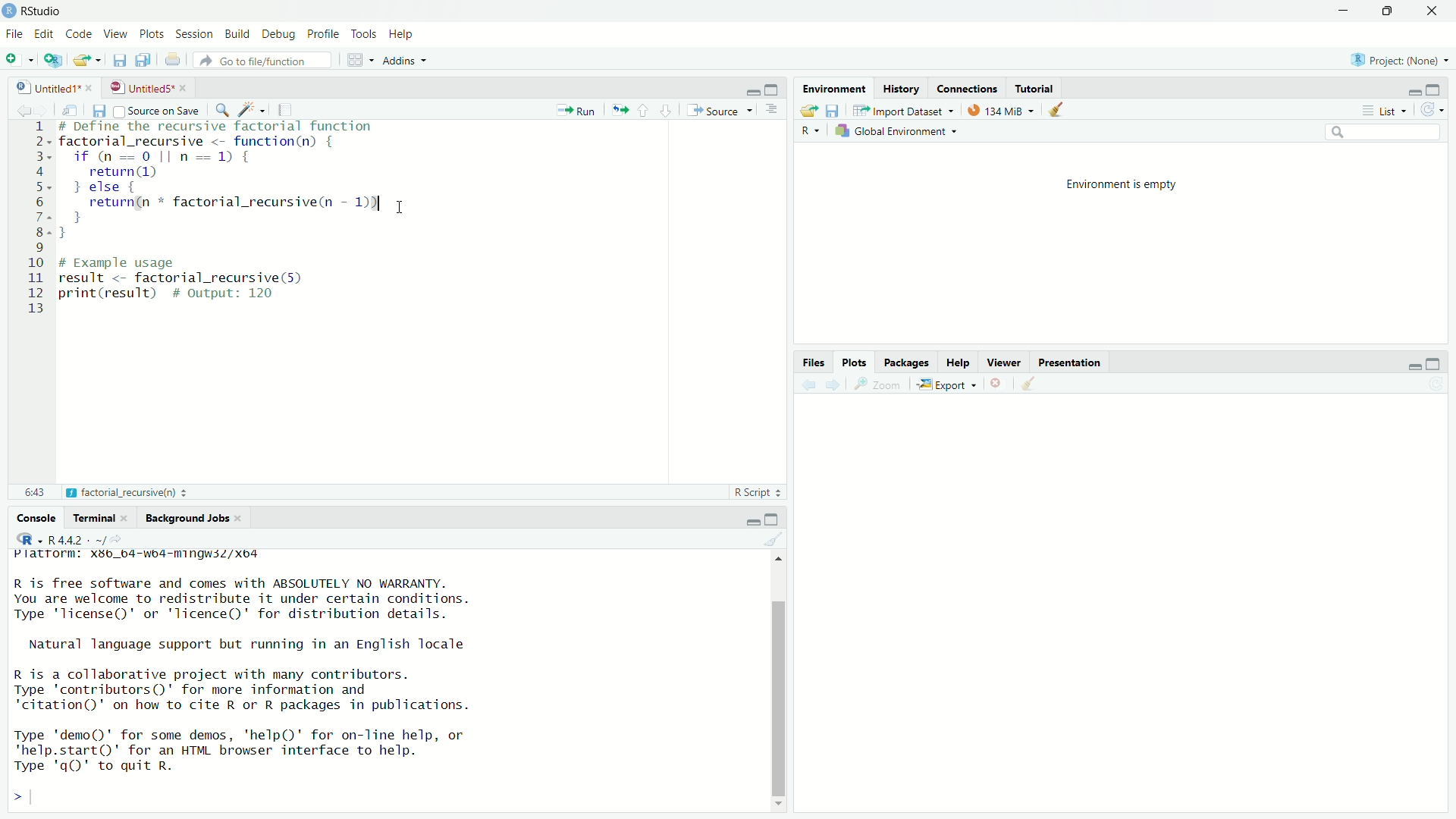 This screenshot has height=819, width=1456. Describe the element at coordinates (857, 361) in the screenshot. I see `Plots` at that location.